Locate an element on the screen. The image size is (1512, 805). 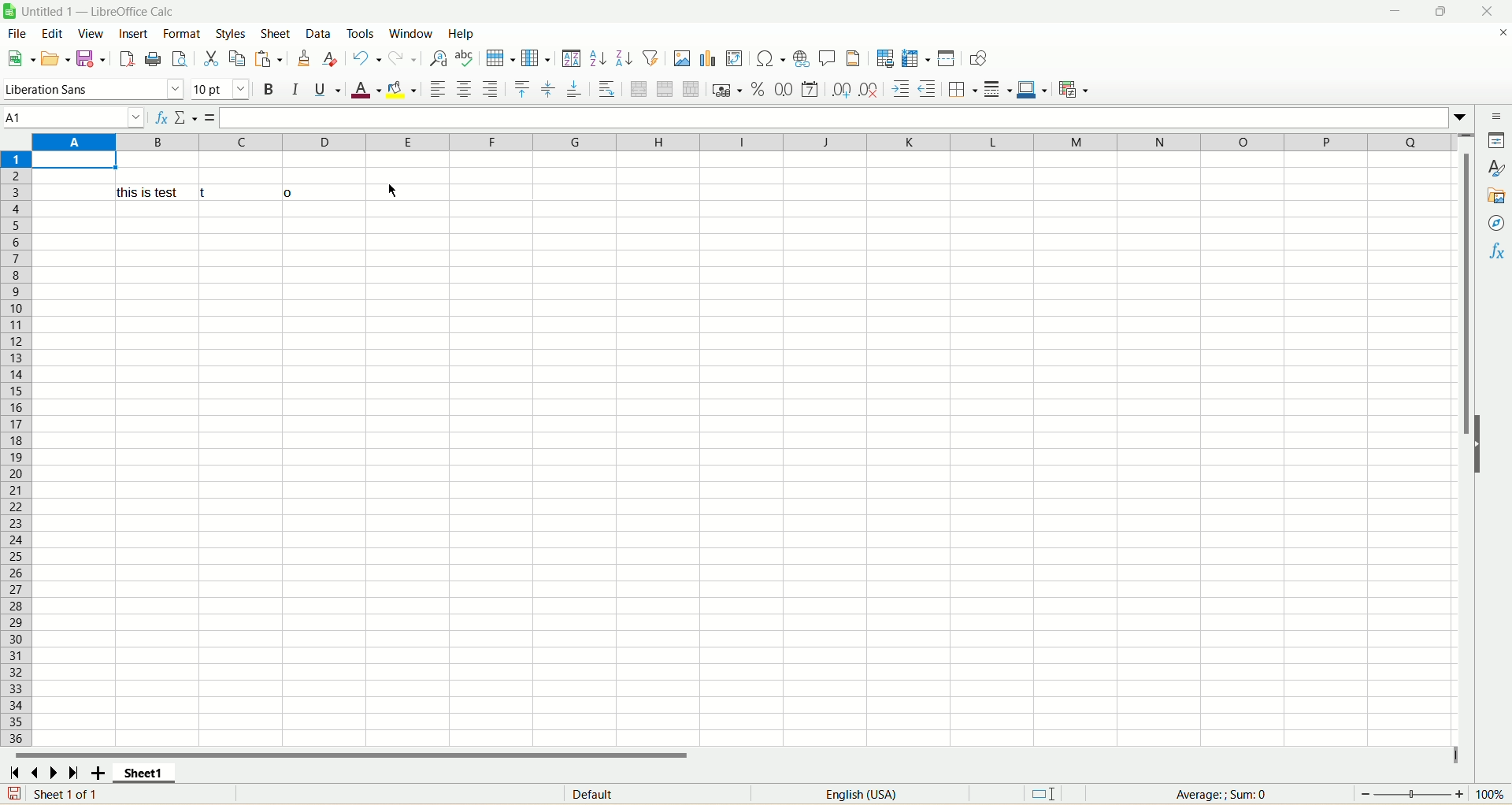
select function is located at coordinates (186, 120).